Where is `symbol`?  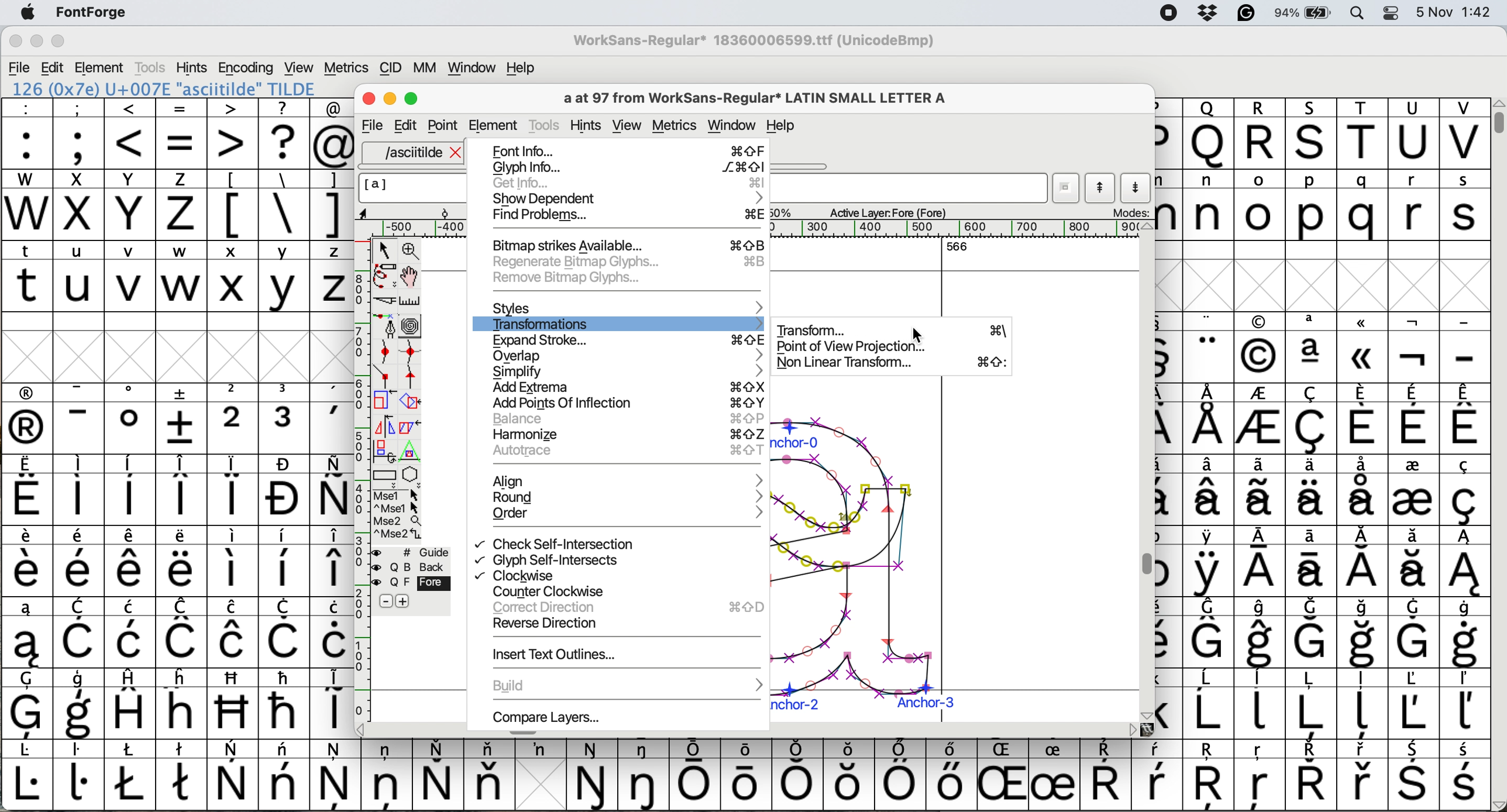 symbol is located at coordinates (646, 775).